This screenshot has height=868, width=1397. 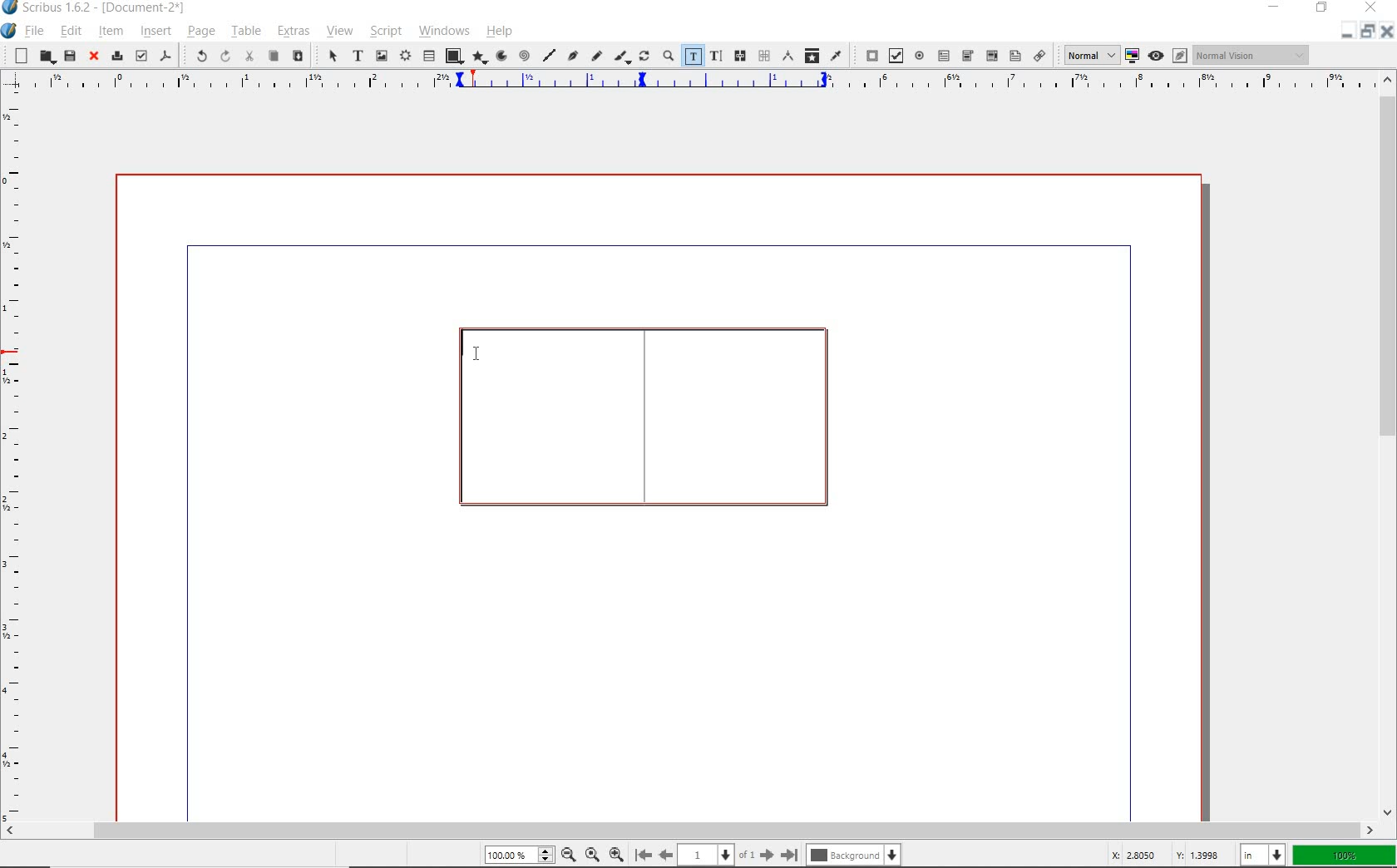 What do you see at coordinates (740, 57) in the screenshot?
I see `link text frames` at bounding box center [740, 57].